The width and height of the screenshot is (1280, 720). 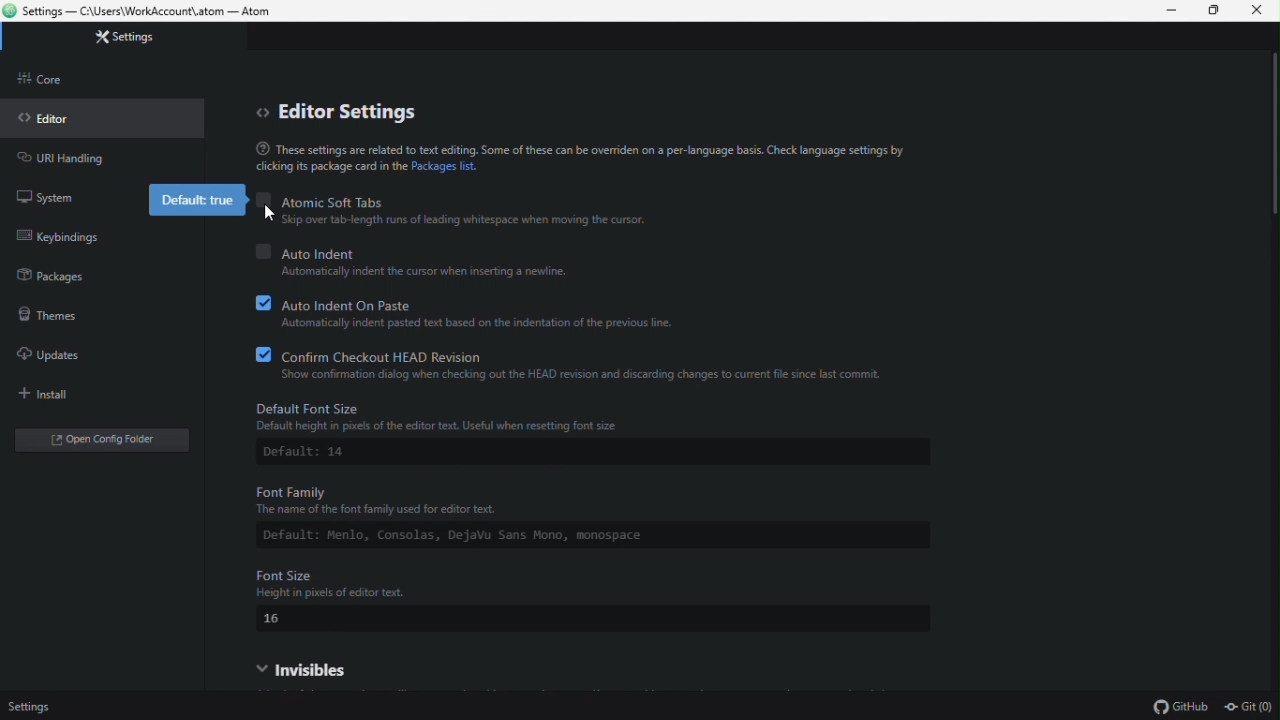 I want to click on Themes, so click(x=78, y=310).